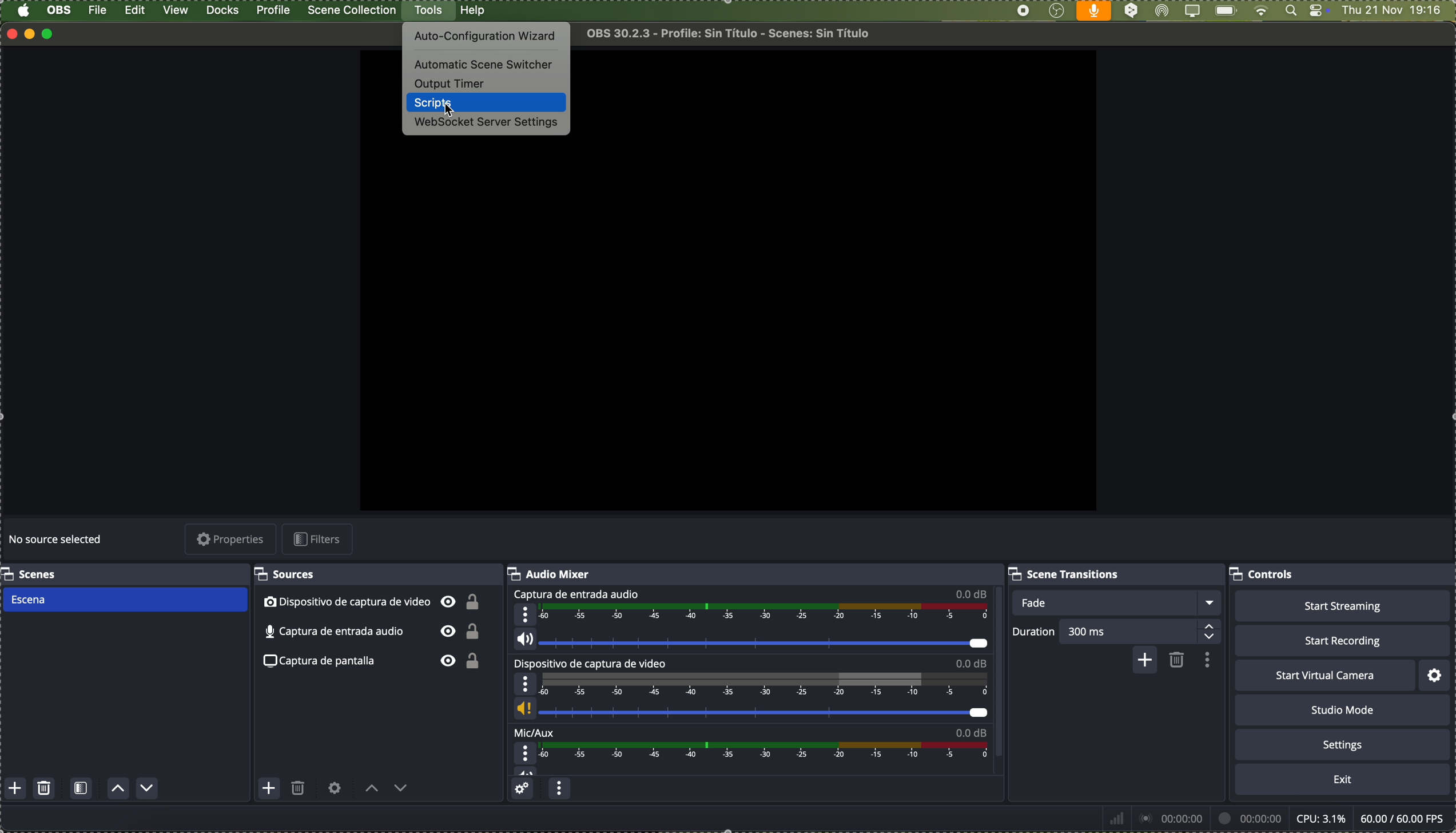 The image size is (1456, 833). I want to click on auto-configuration wizard, so click(485, 38).